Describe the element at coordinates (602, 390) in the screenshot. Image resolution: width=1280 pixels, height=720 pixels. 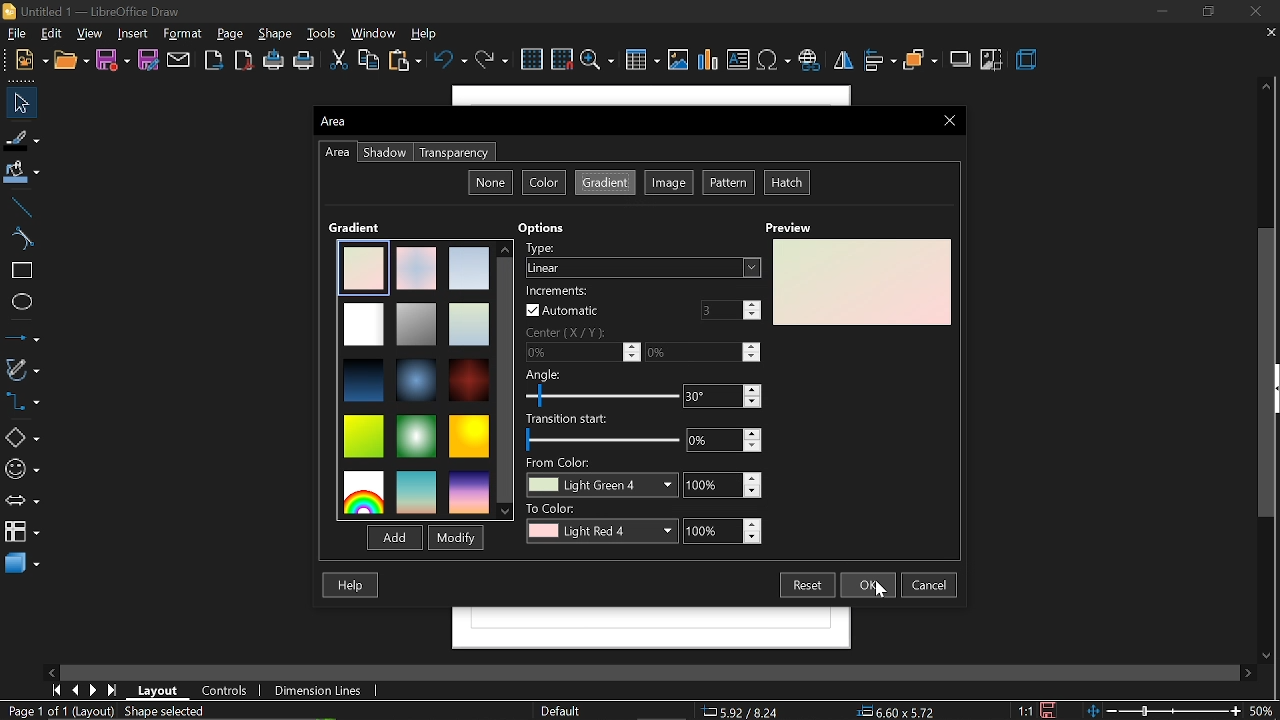
I see `angle bar` at that location.